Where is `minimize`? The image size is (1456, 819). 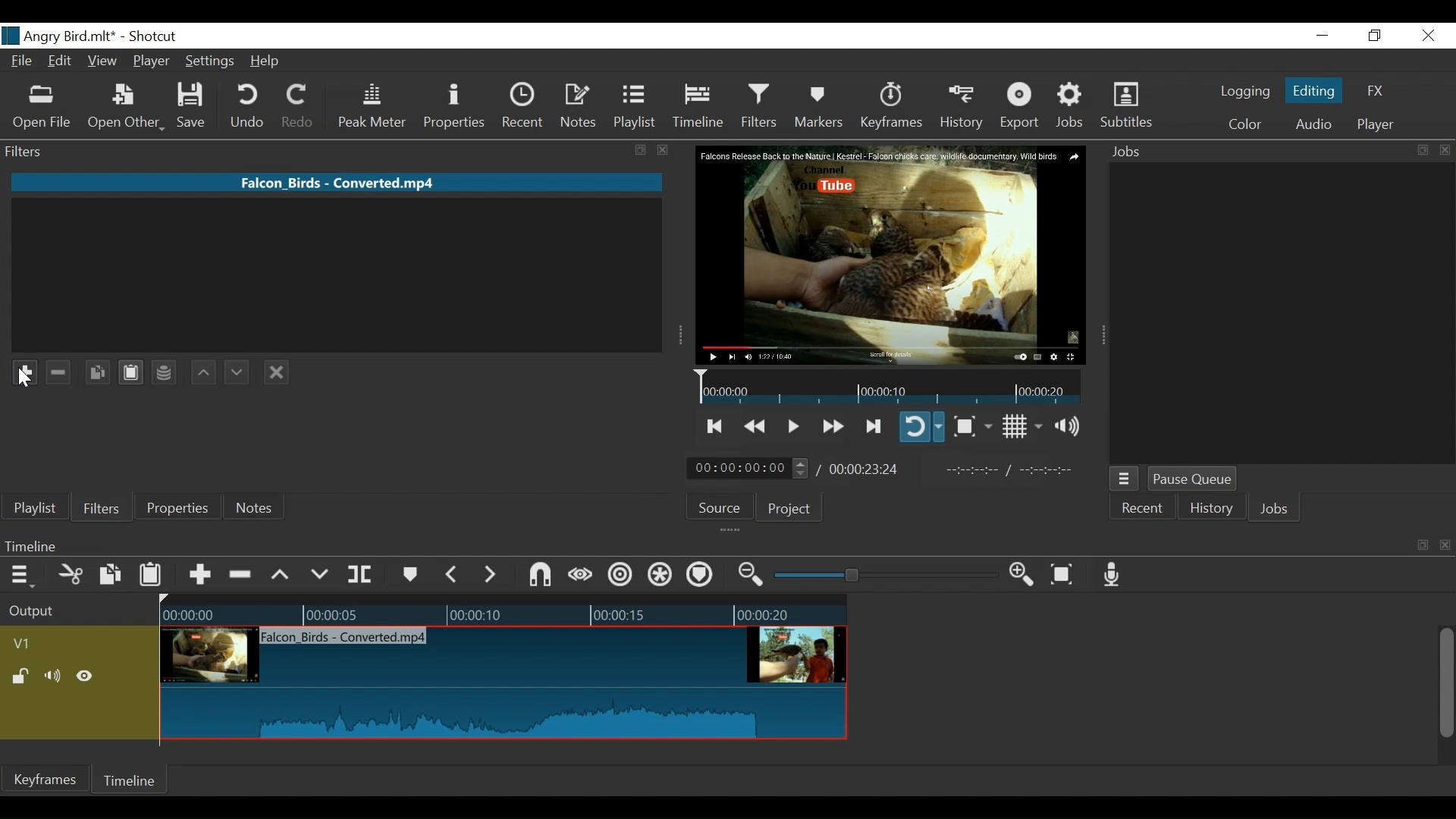
minimize is located at coordinates (1322, 36).